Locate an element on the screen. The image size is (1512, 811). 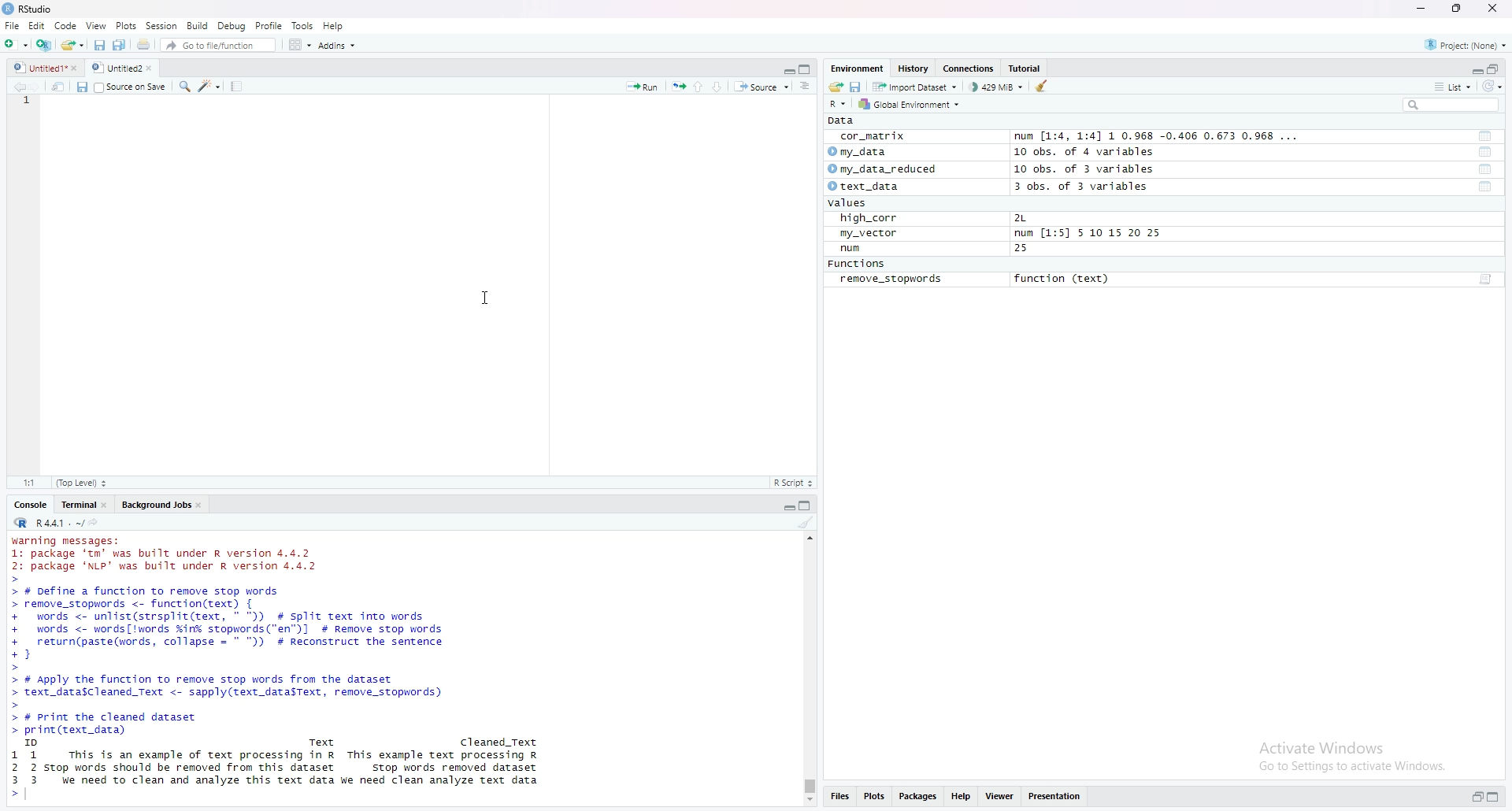
Console is located at coordinates (31, 504).